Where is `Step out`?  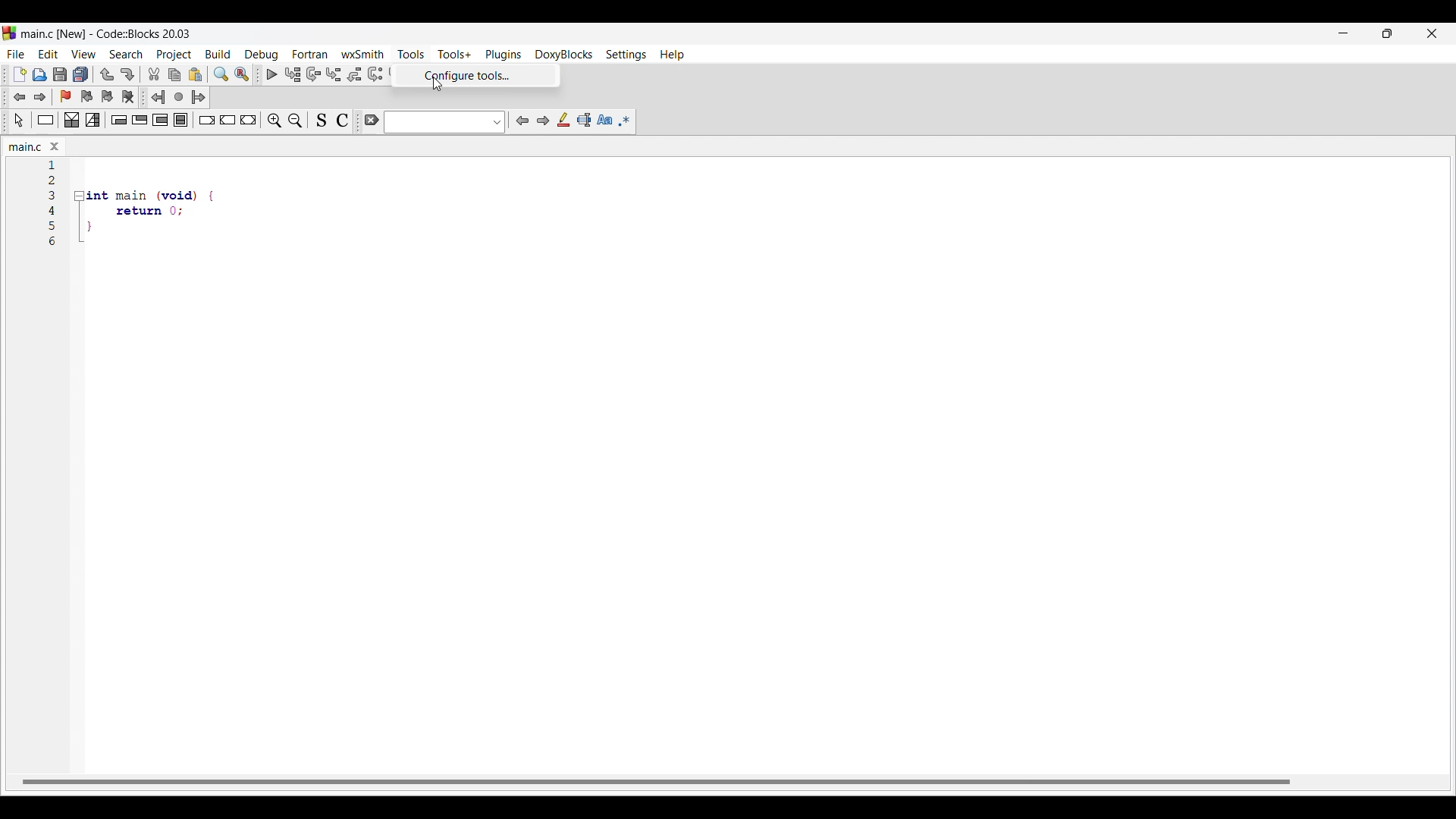
Step out is located at coordinates (354, 74).